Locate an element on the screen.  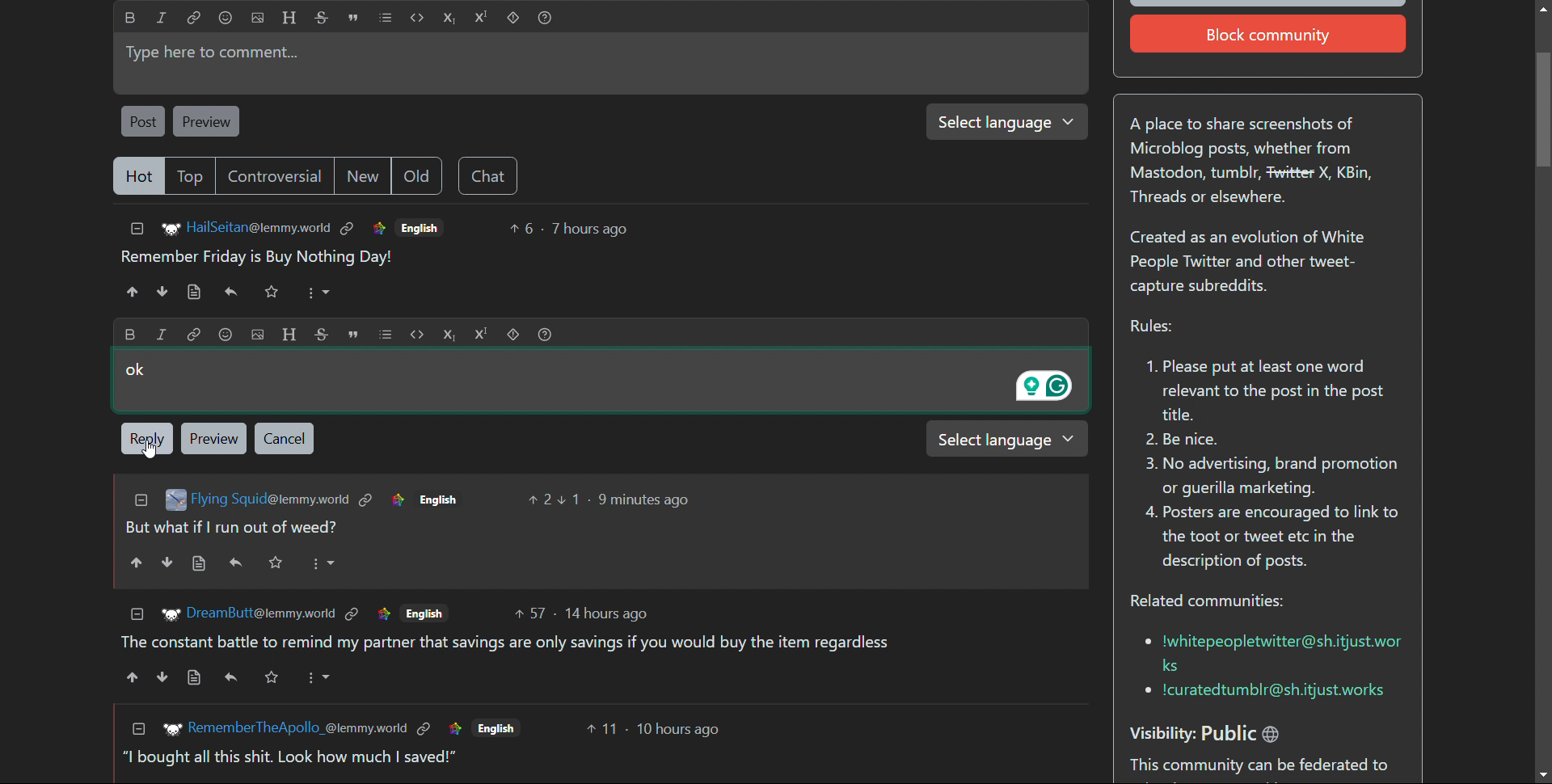
scroll down is located at coordinates (1542, 774).